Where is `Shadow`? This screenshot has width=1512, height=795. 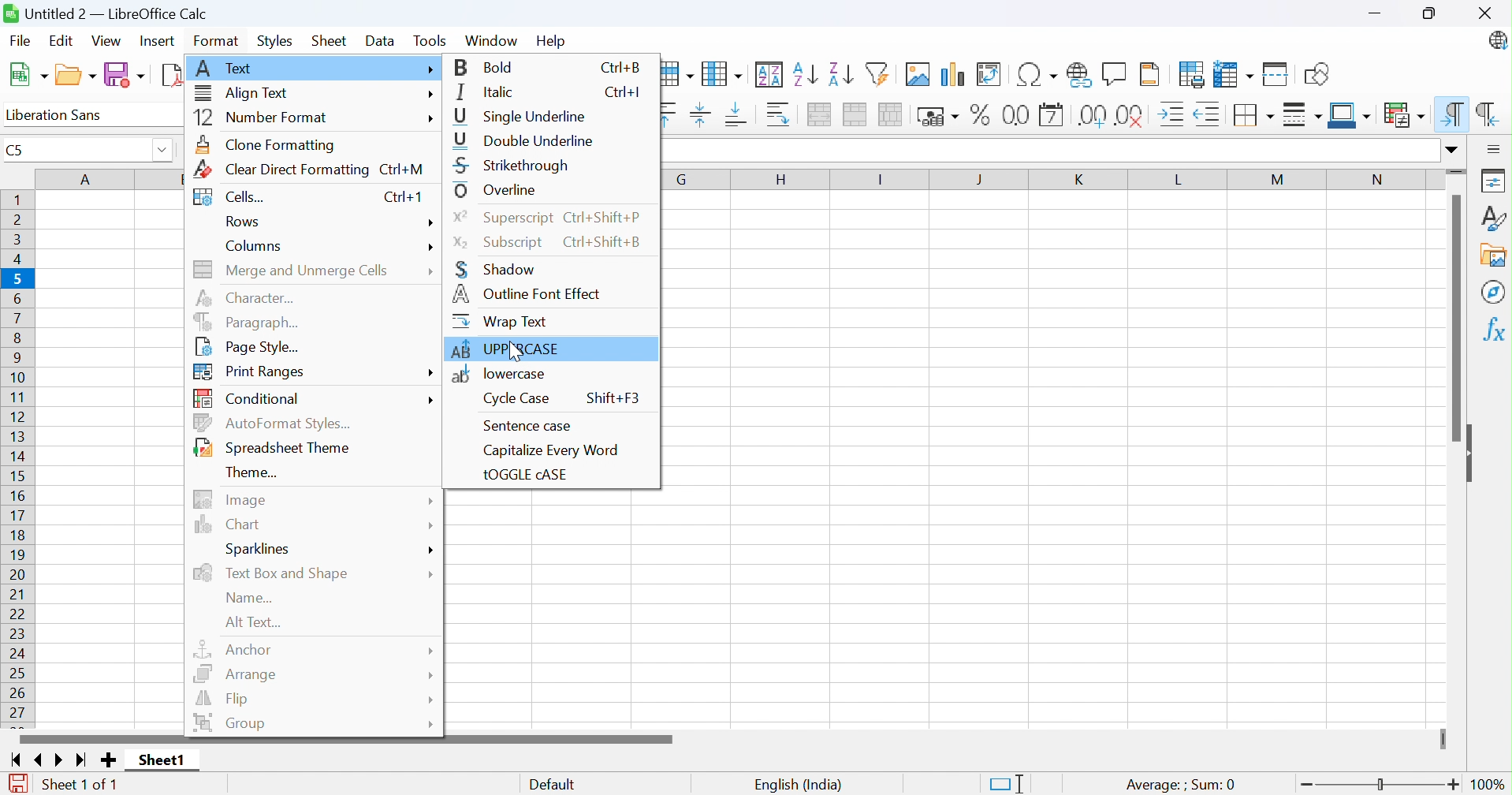 Shadow is located at coordinates (496, 271).